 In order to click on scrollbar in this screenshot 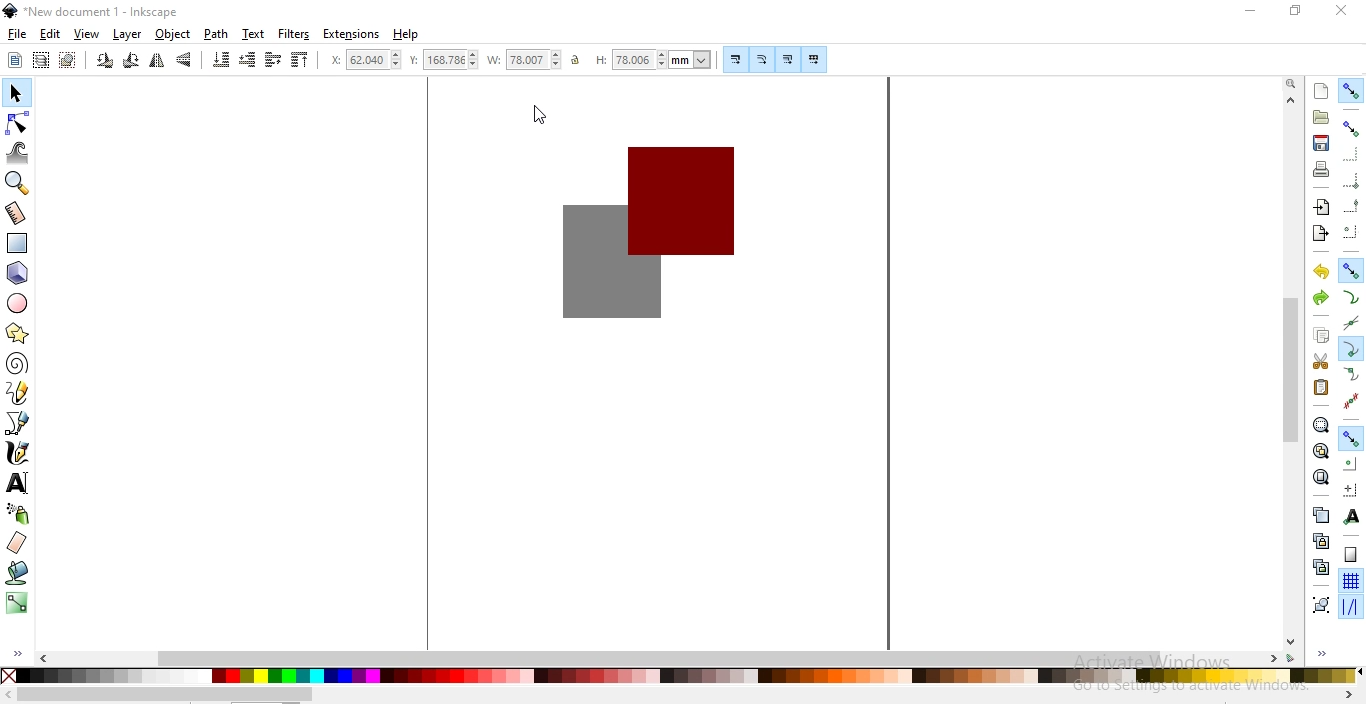, I will do `click(165, 695)`.